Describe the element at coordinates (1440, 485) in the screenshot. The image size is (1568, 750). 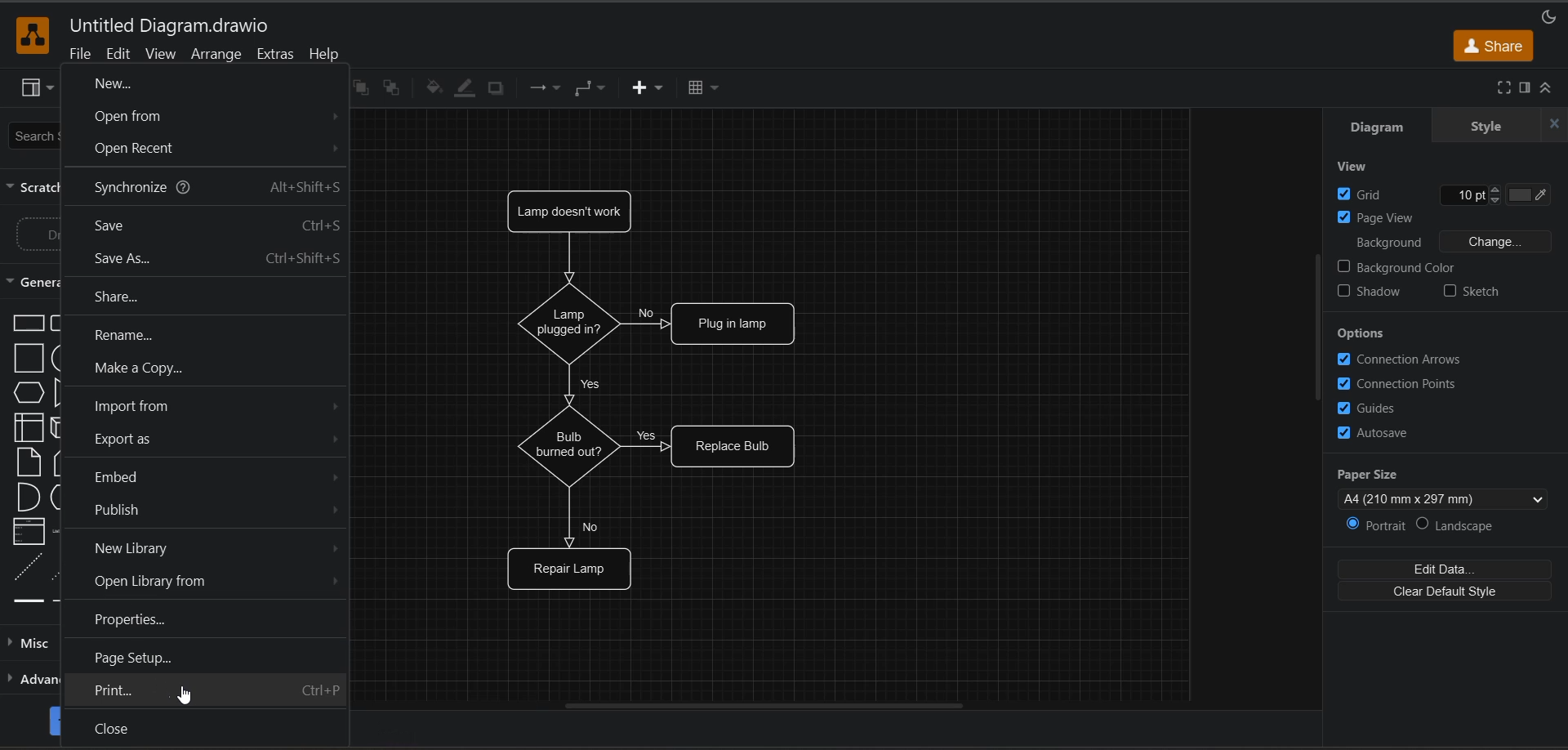
I see `paper size` at that location.